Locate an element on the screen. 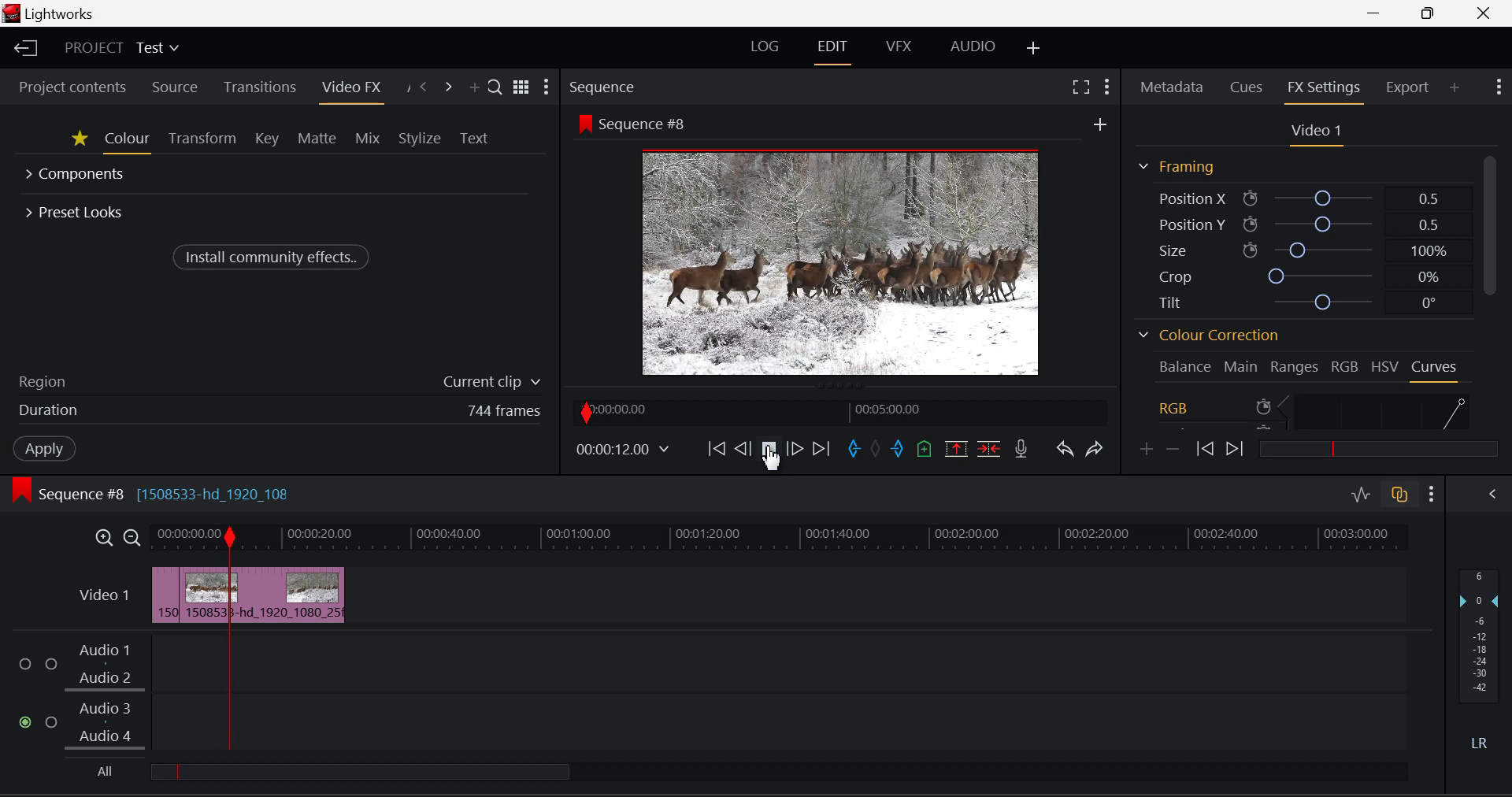  Framing Section is located at coordinates (1176, 166).